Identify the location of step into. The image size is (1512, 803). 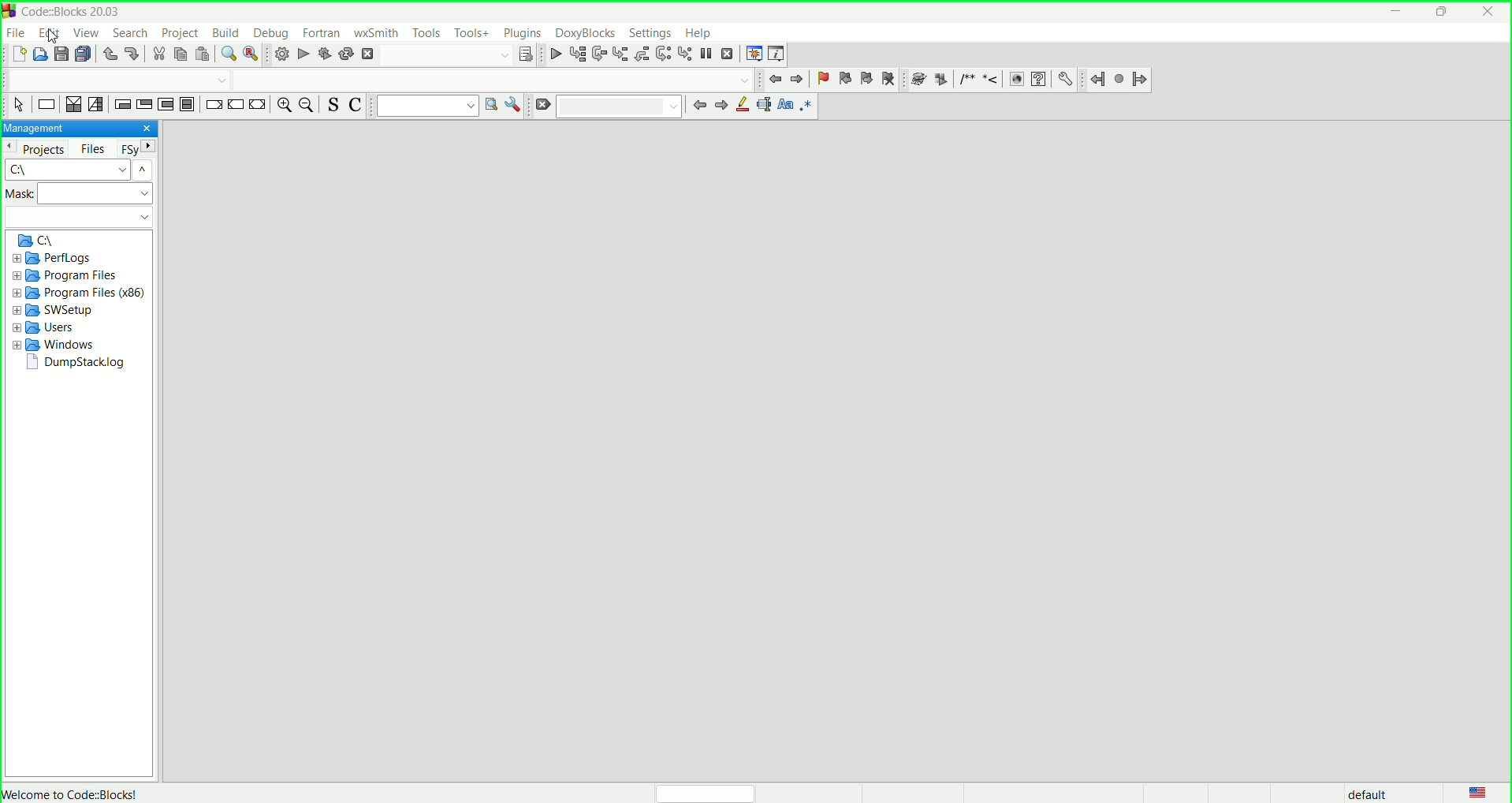
(620, 53).